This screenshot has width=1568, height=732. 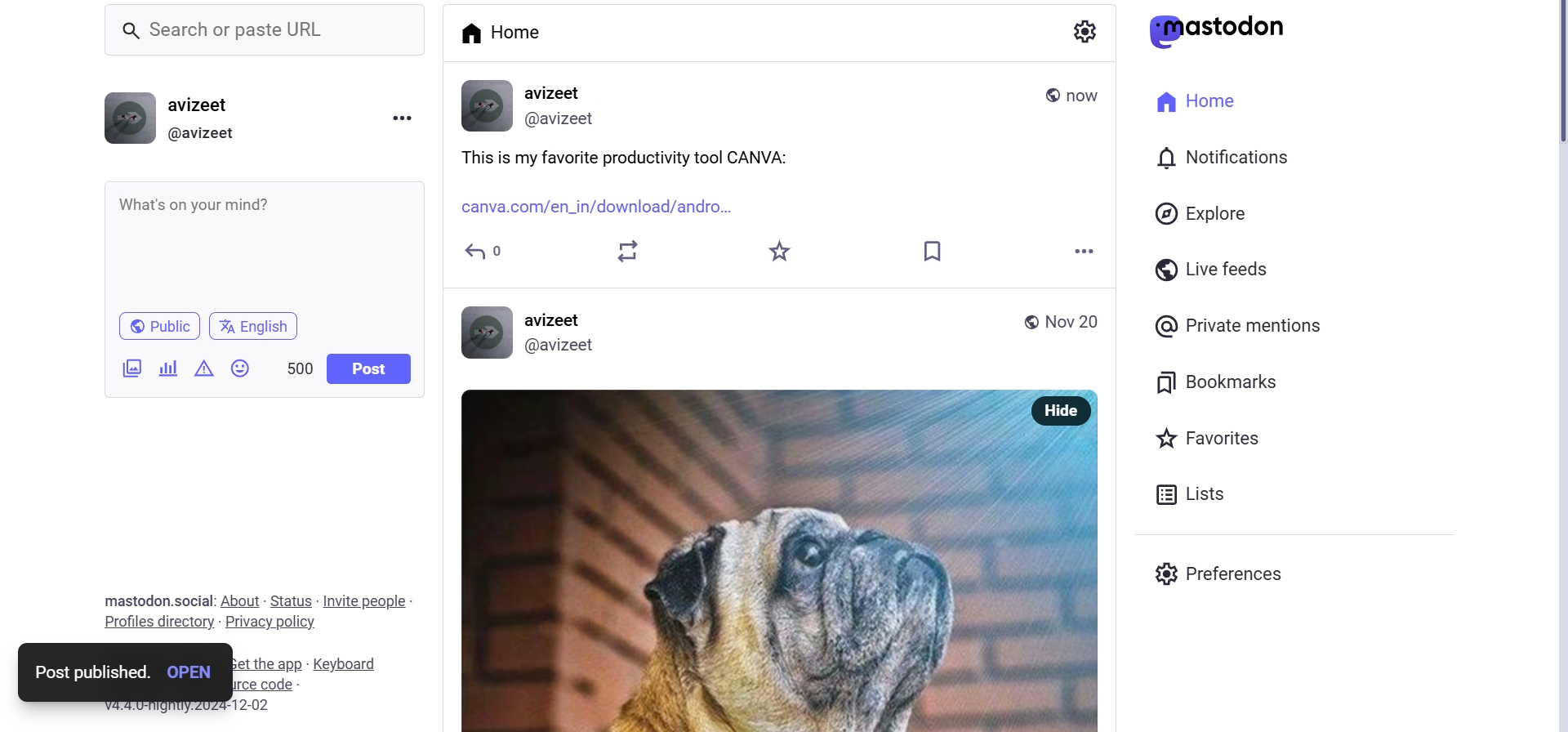 What do you see at coordinates (1189, 100) in the screenshot?
I see `home` at bounding box center [1189, 100].